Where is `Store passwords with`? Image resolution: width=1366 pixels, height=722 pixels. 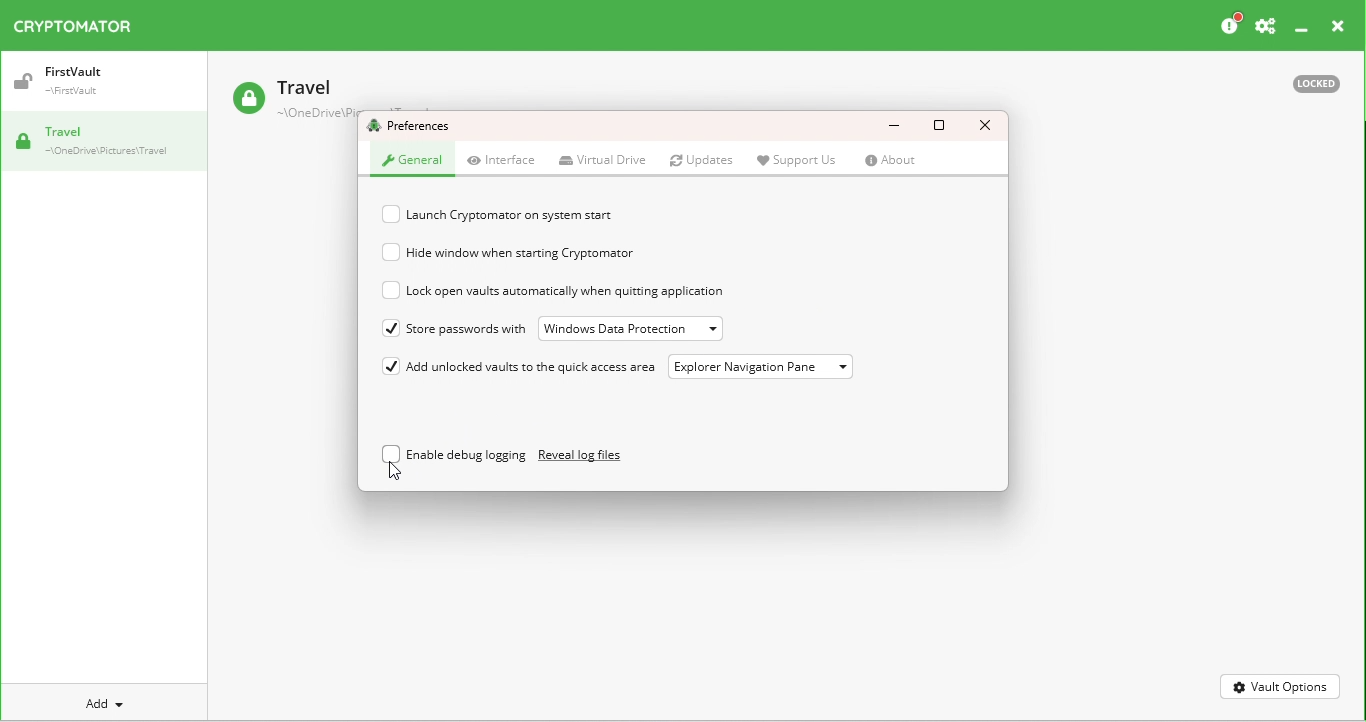 Store passwords with is located at coordinates (468, 329).